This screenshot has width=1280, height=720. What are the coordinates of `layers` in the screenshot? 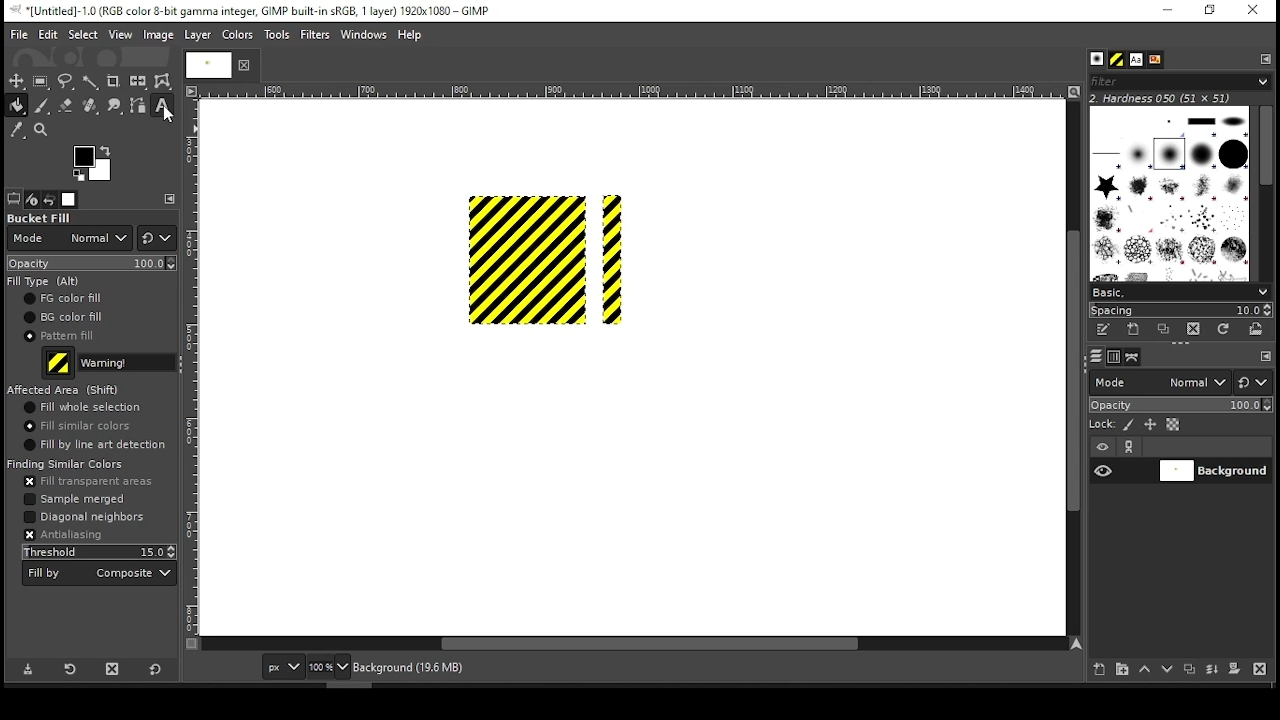 It's located at (1095, 357).